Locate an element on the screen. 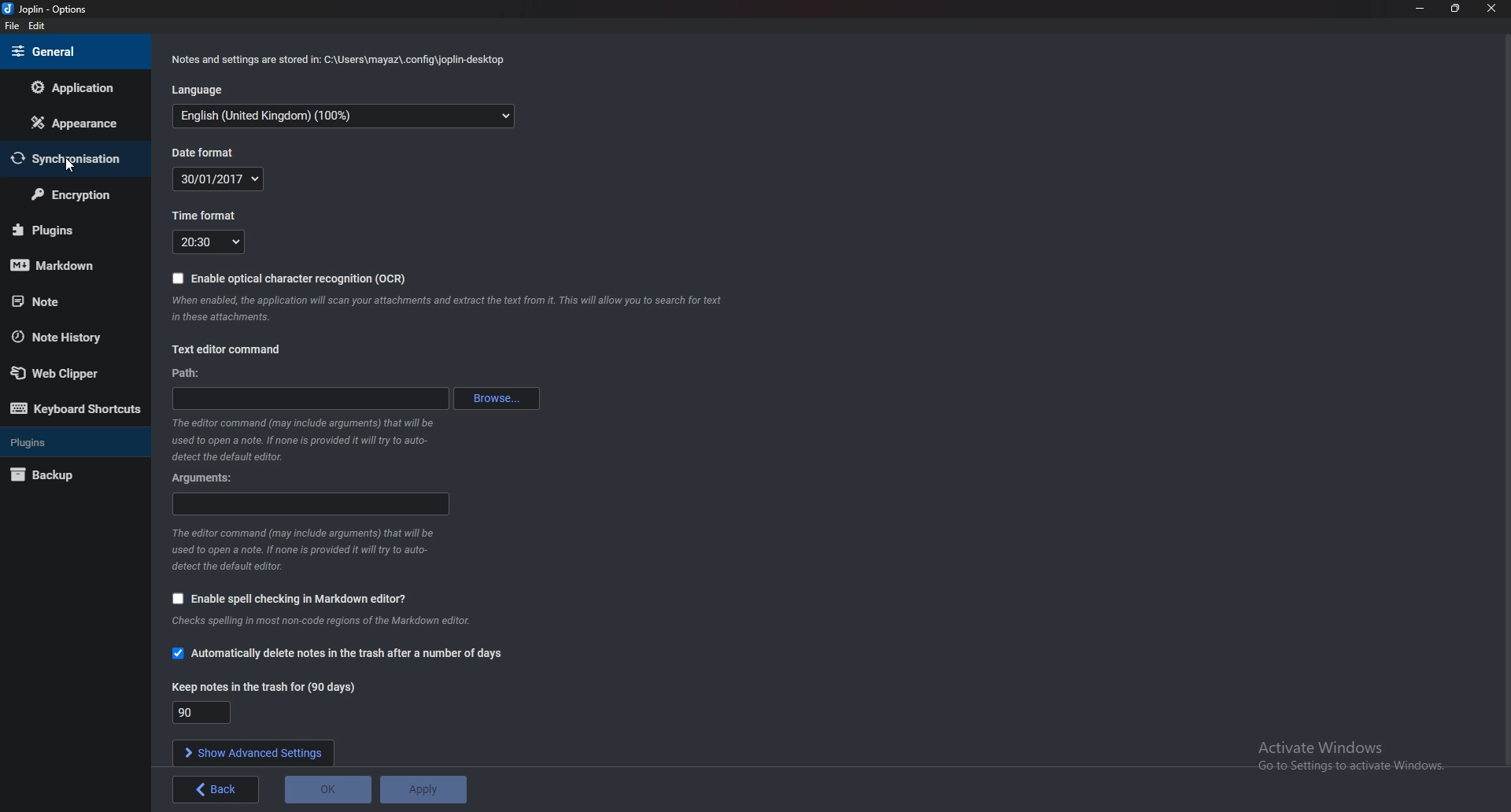 The image size is (1511, 812). Keep notes in the trash for is located at coordinates (202, 712).